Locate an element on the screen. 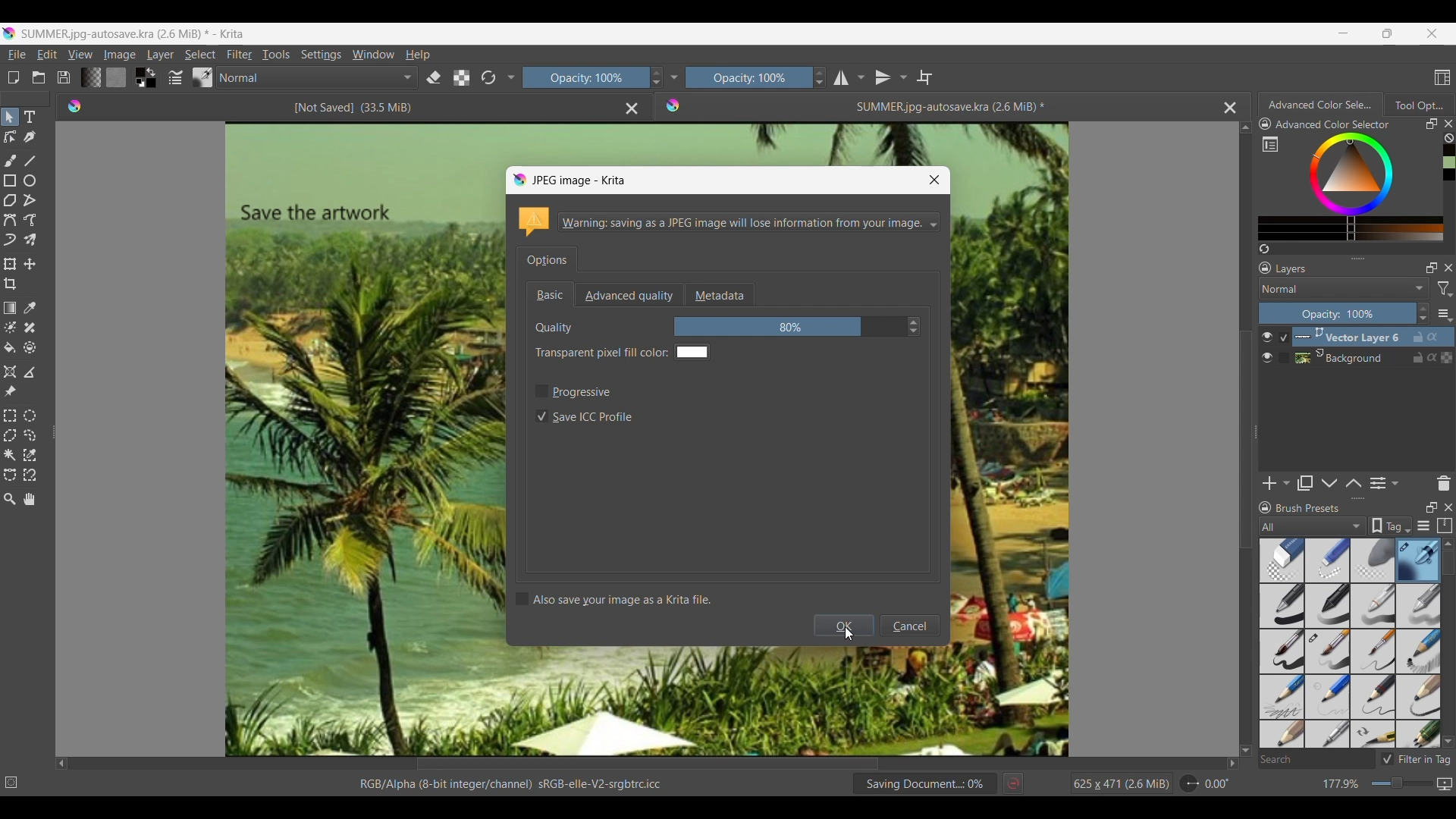 The height and width of the screenshot is (819, 1456). Vertical slide bar is located at coordinates (1448, 563).